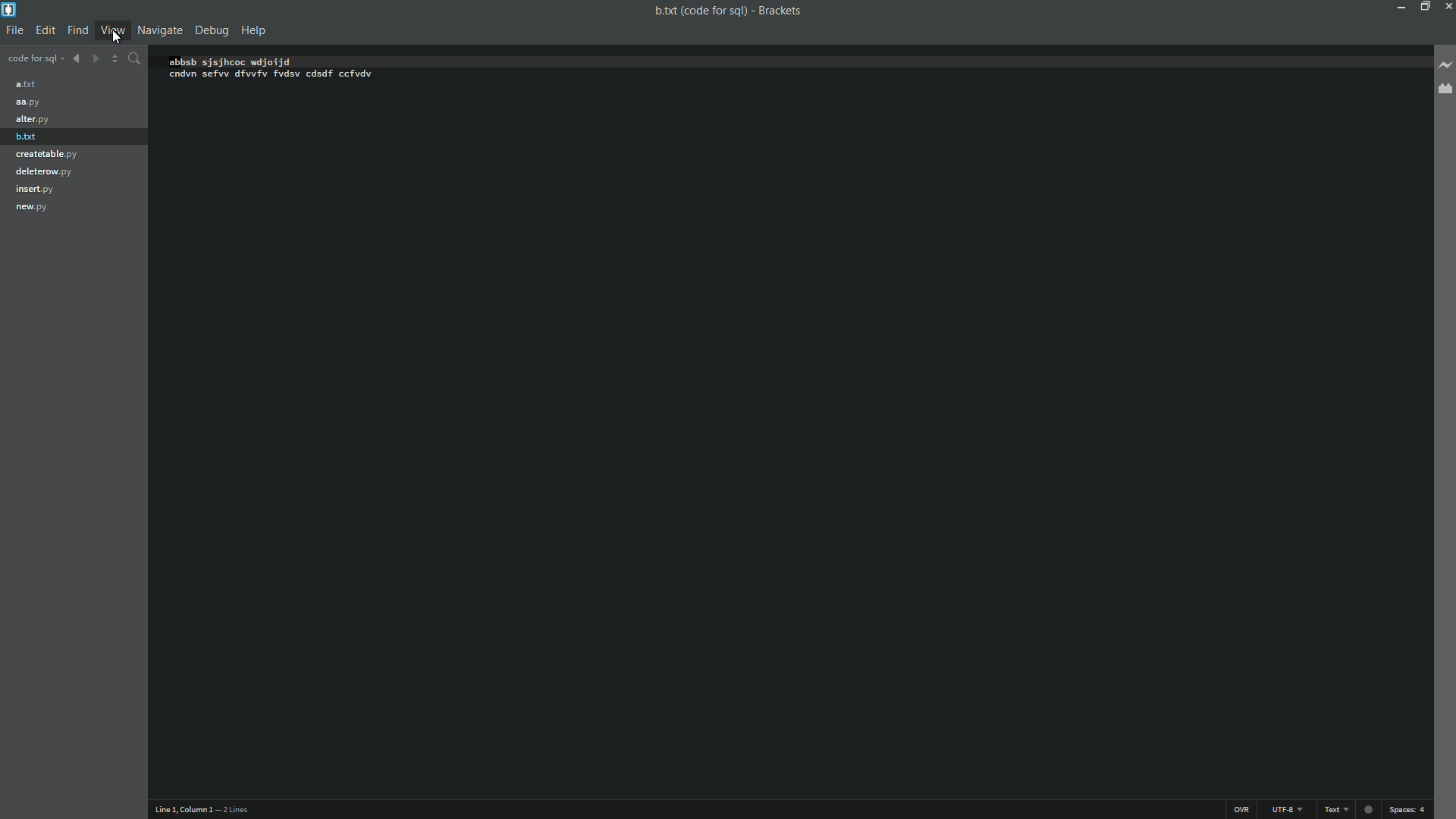 Image resolution: width=1456 pixels, height=819 pixels. Describe the element at coordinates (1447, 6) in the screenshot. I see `Close app` at that location.